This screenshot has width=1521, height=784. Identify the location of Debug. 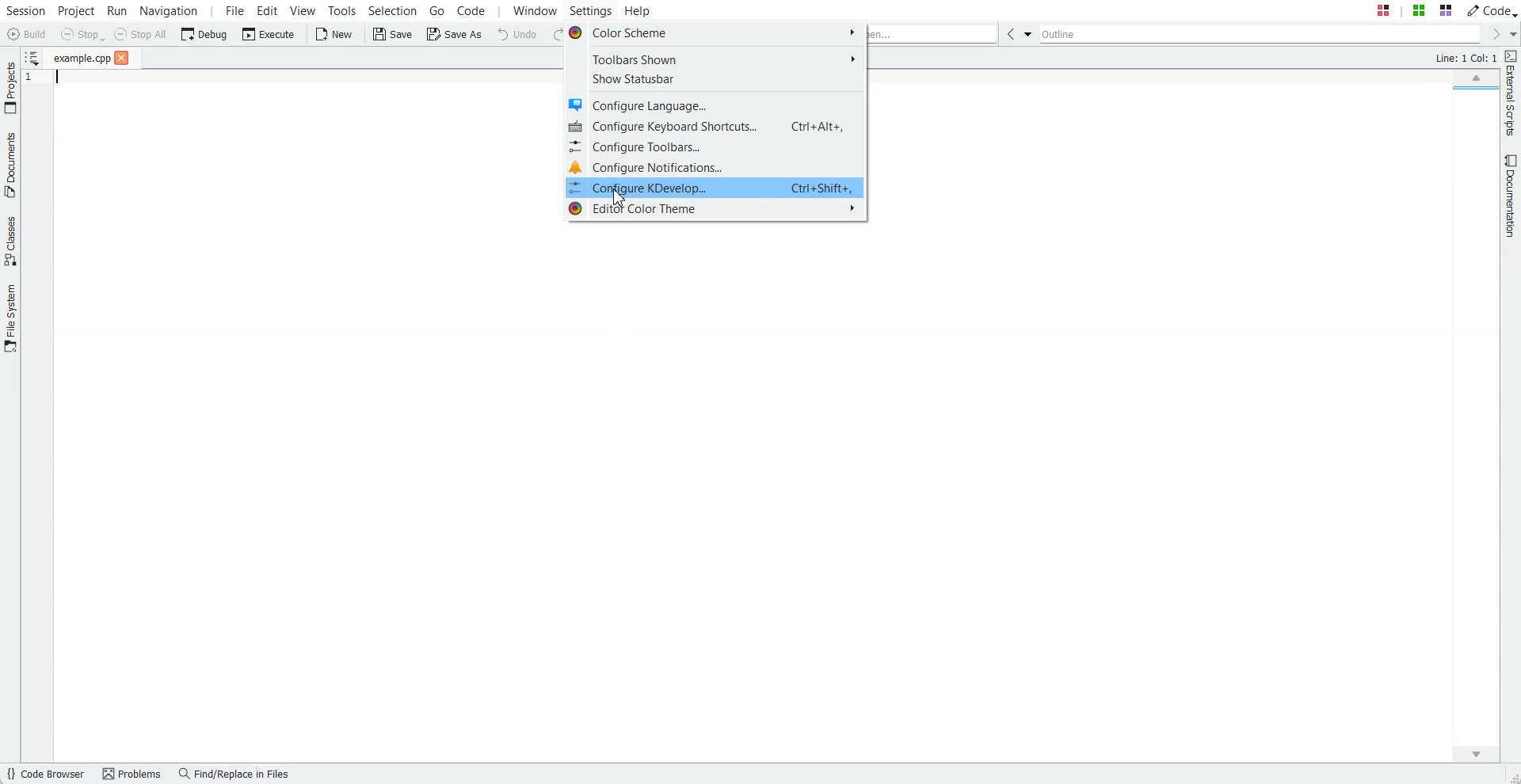
(204, 33).